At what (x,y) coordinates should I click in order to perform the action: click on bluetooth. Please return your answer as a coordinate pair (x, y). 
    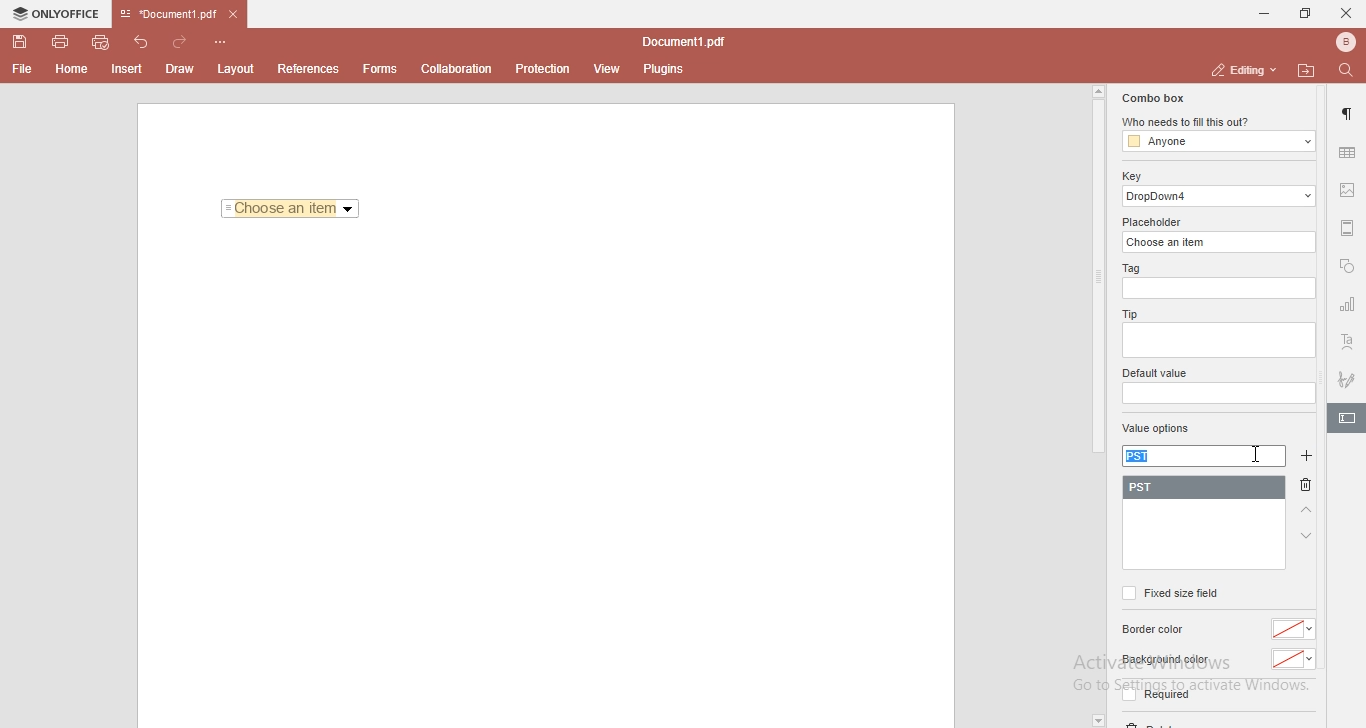
    Looking at the image, I should click on (1340, 42).